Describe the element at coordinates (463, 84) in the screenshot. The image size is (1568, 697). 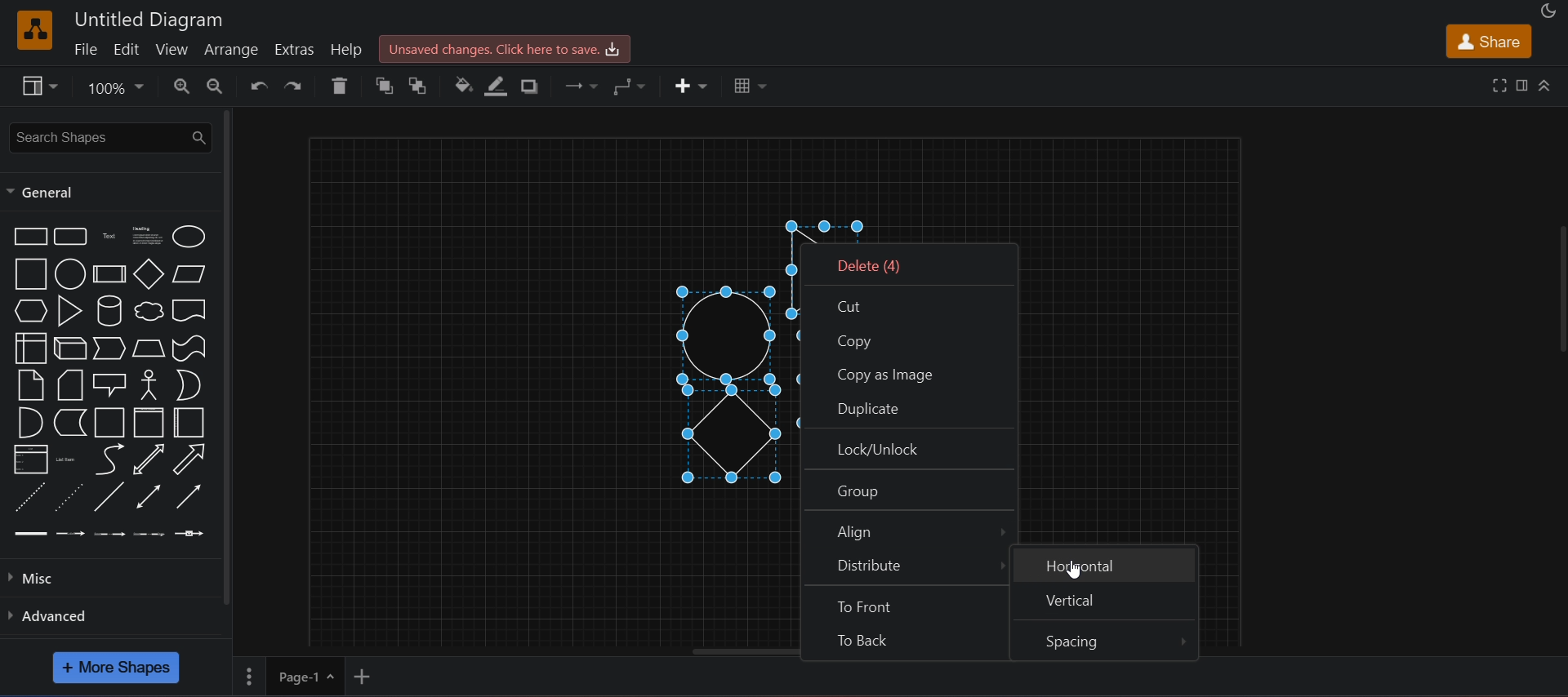
I see `fill color` at that location.